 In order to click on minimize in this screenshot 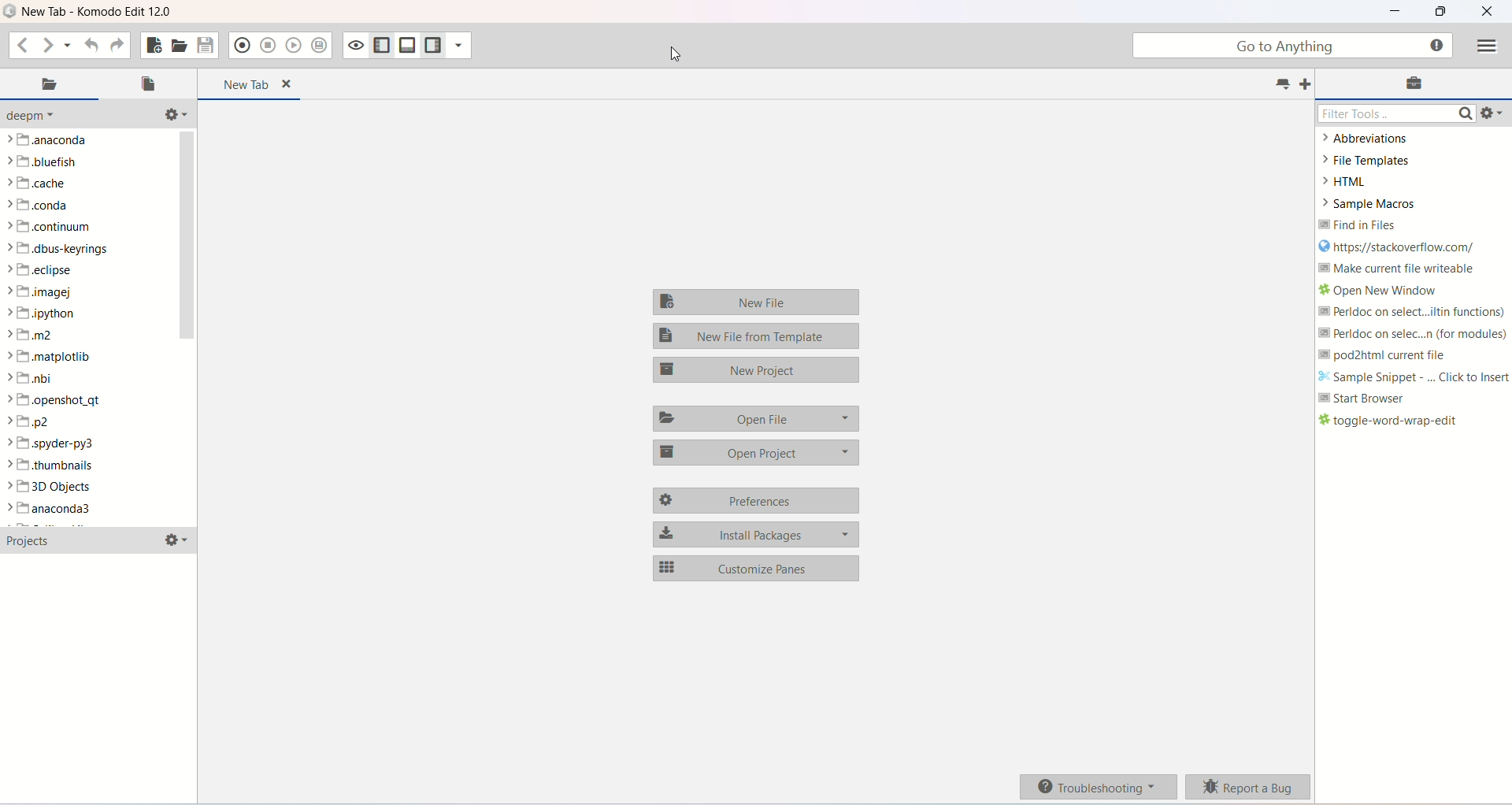, I will do `click(1398, 11)`.